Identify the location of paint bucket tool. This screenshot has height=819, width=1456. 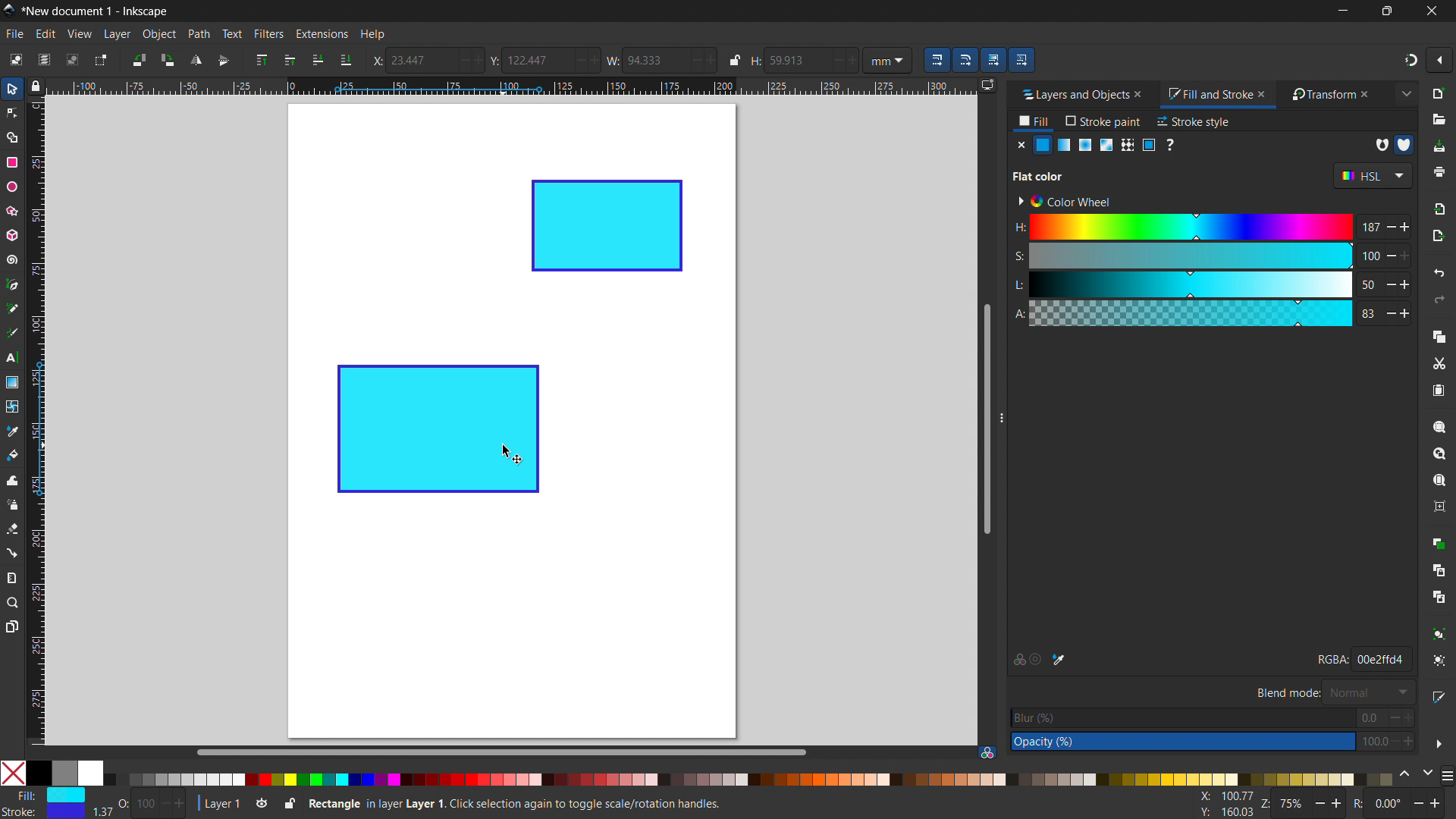
(14, 454).